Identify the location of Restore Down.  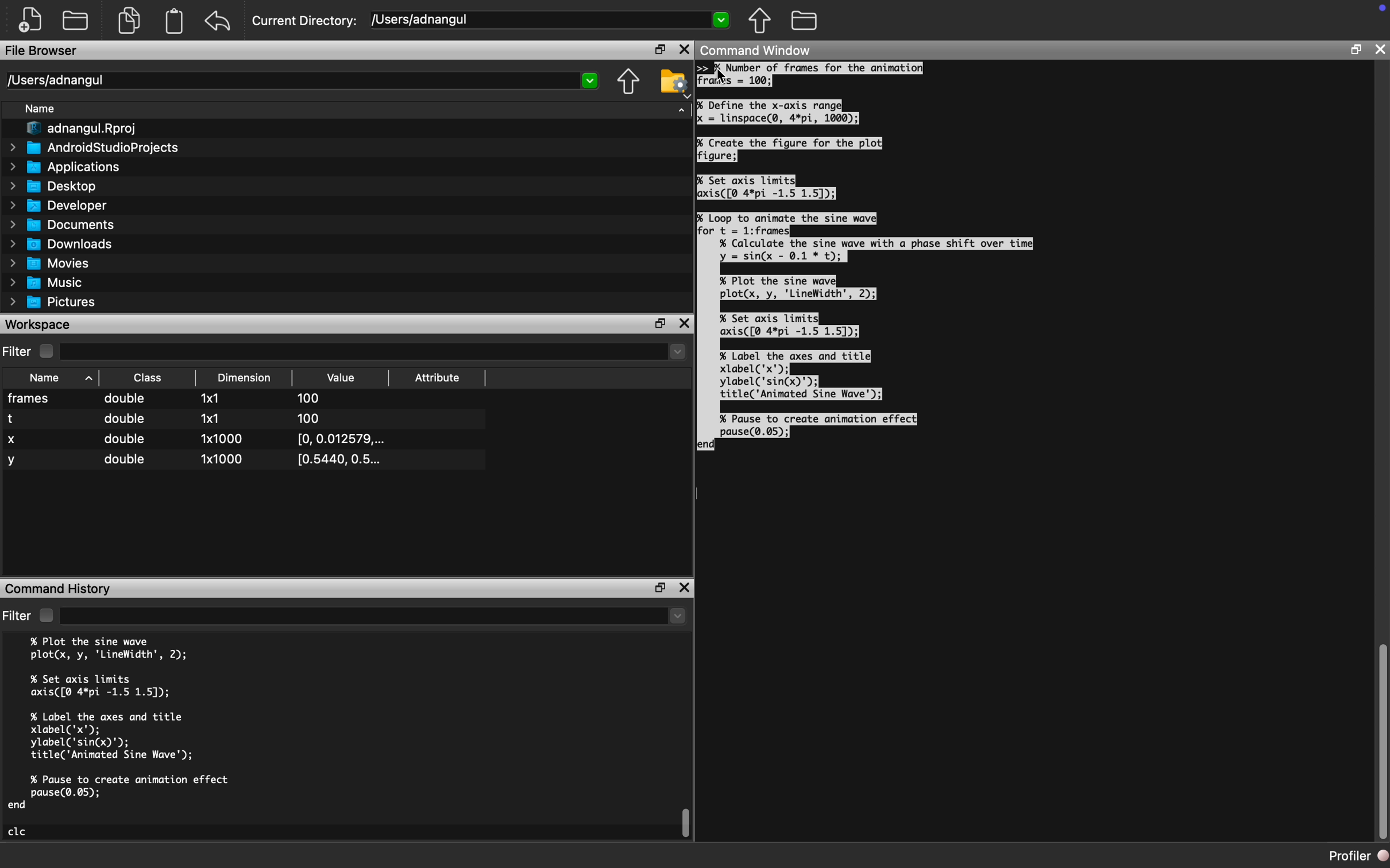
(661, 589).